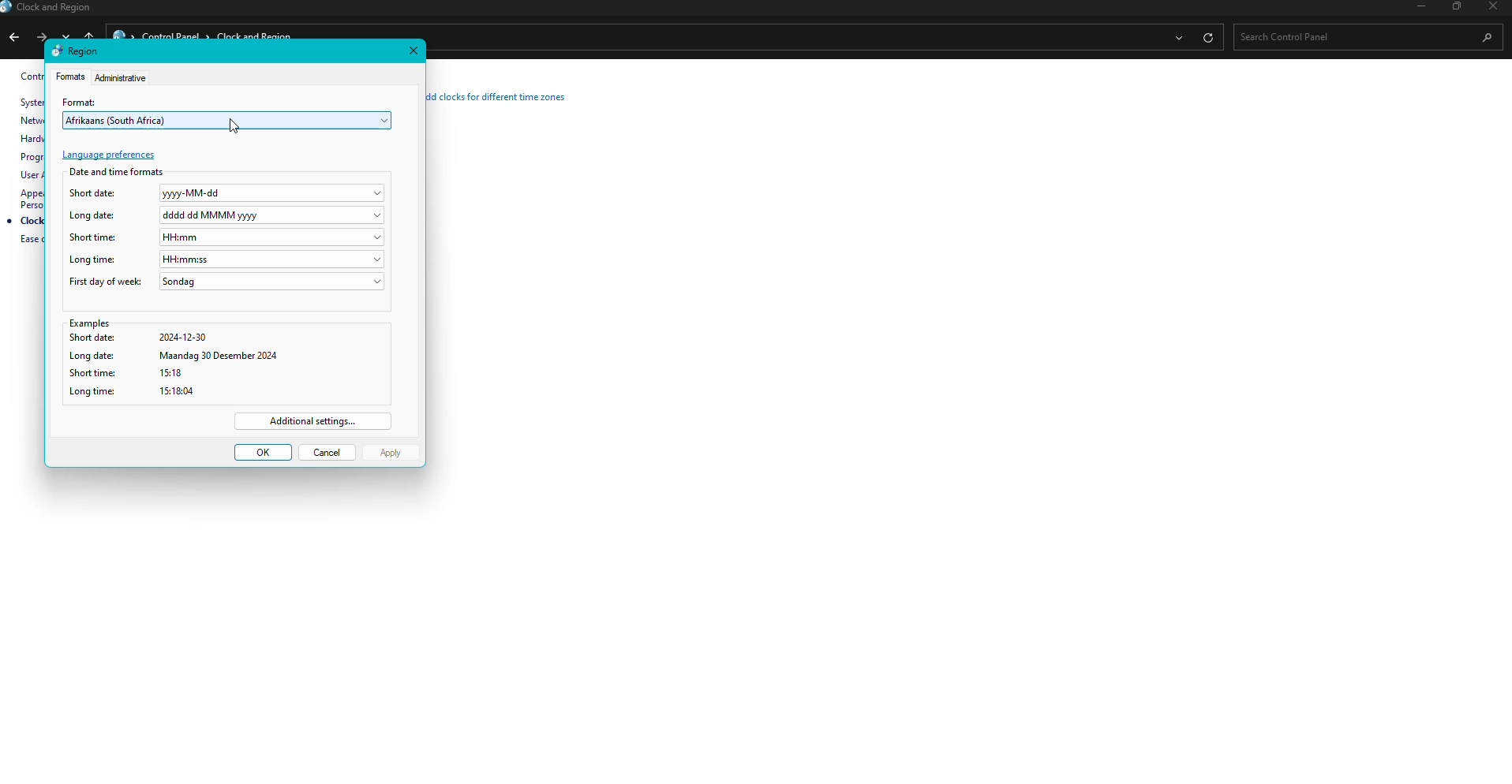 The height and width of the screenshot is (784, 1512). I want to click on Short time, so click(226, 237).